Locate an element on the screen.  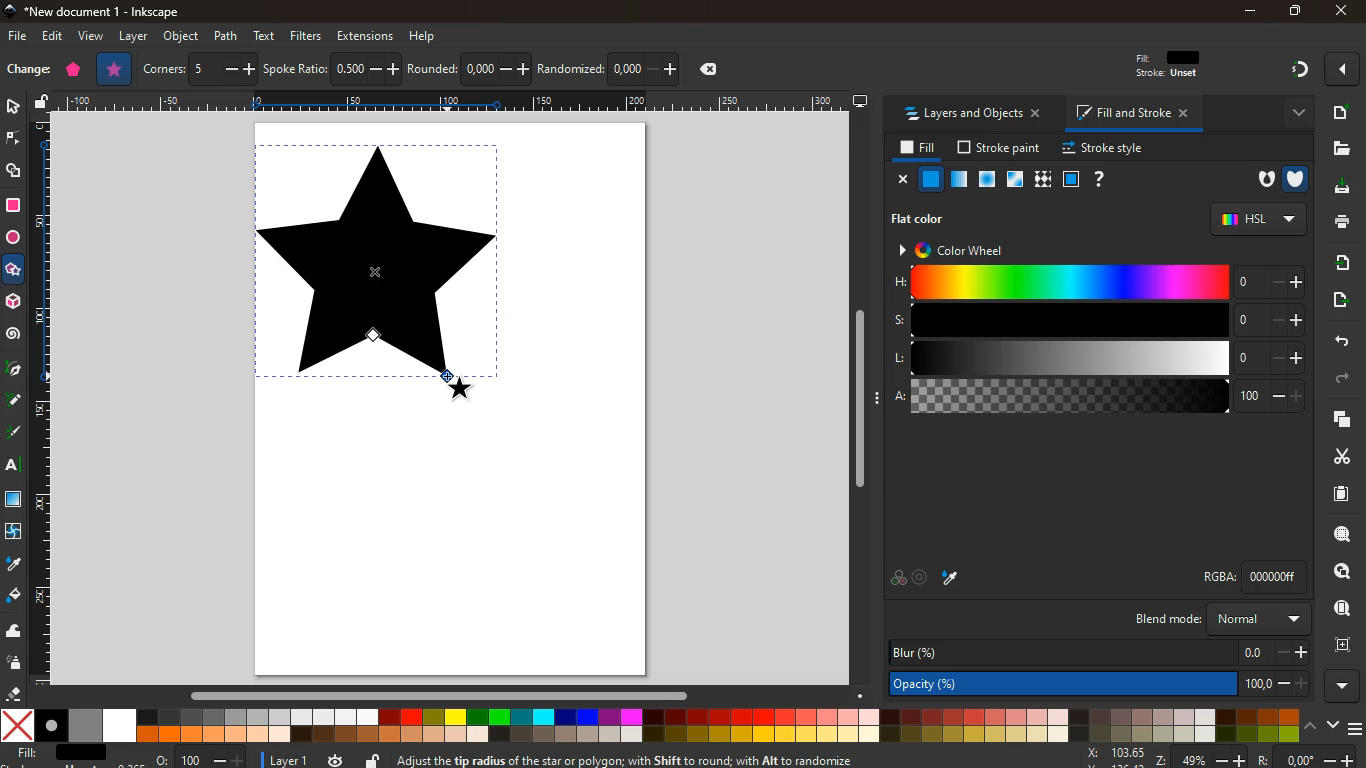
pic is located at coordinates (12, 371).